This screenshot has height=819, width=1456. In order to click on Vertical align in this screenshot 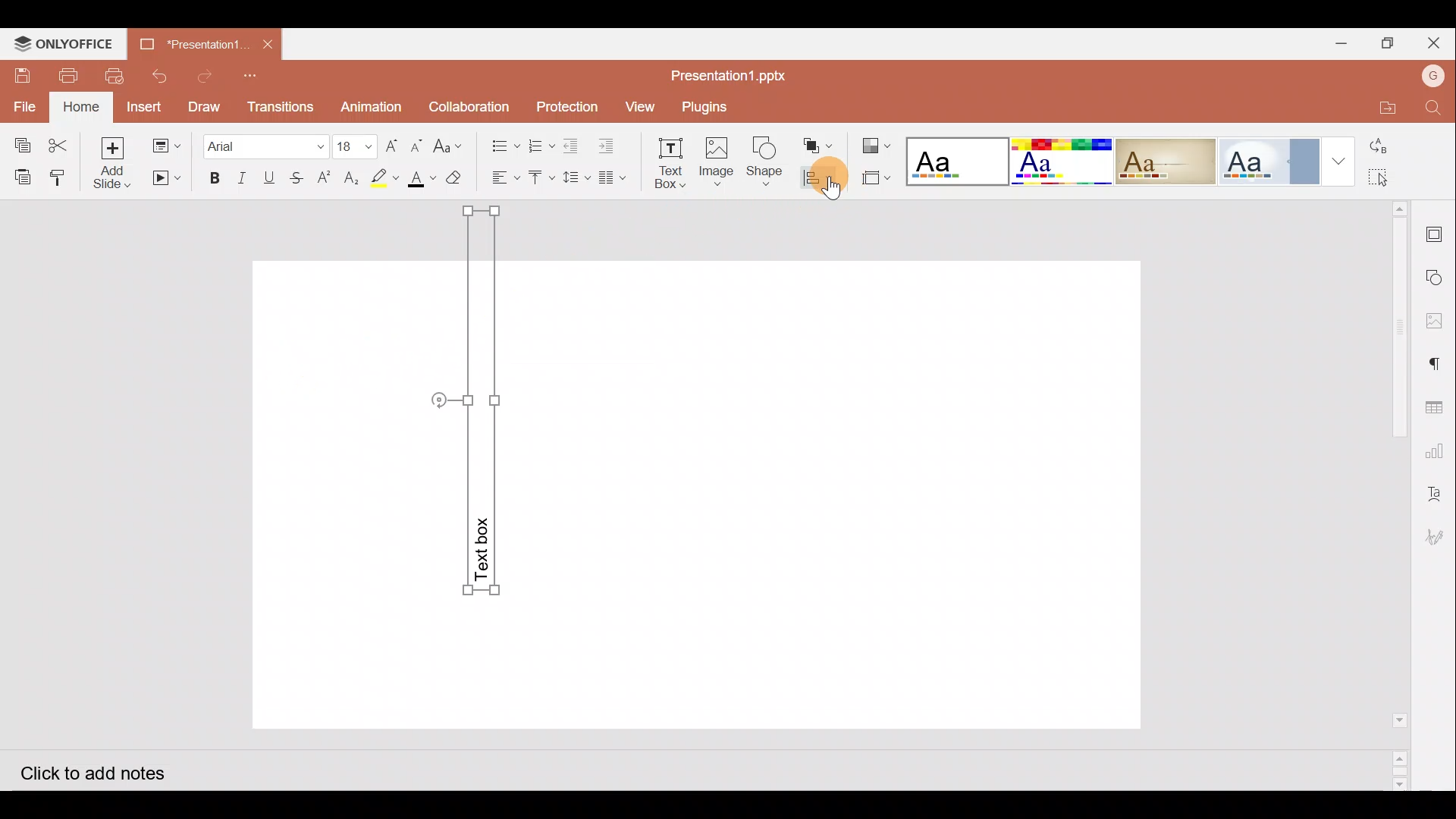, I will do `click(541, 180)`.